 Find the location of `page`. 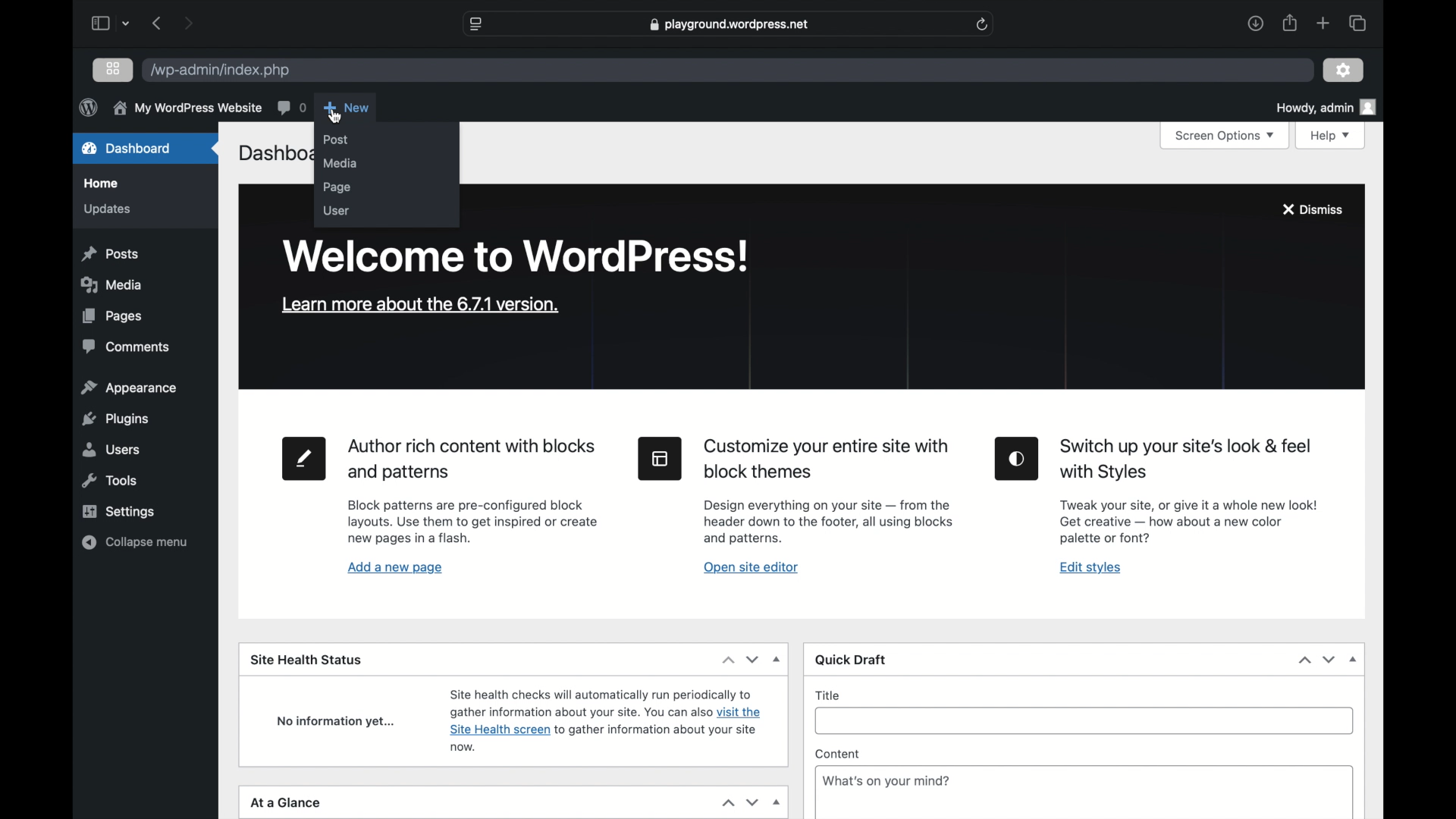

page is located at coordinates (338, 188).